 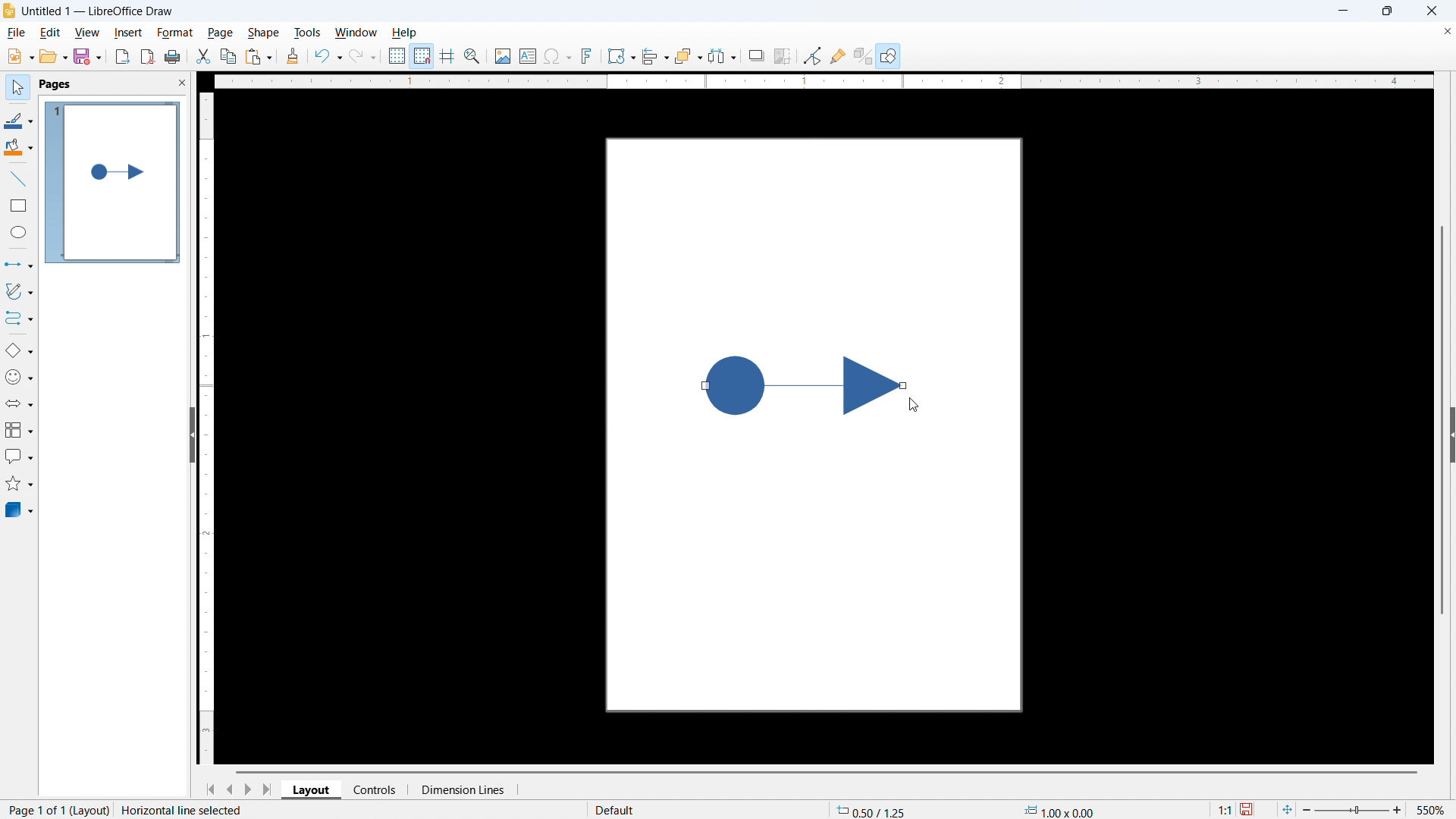 I want to click on show Glue Point functions , so click(x=837, y=55).